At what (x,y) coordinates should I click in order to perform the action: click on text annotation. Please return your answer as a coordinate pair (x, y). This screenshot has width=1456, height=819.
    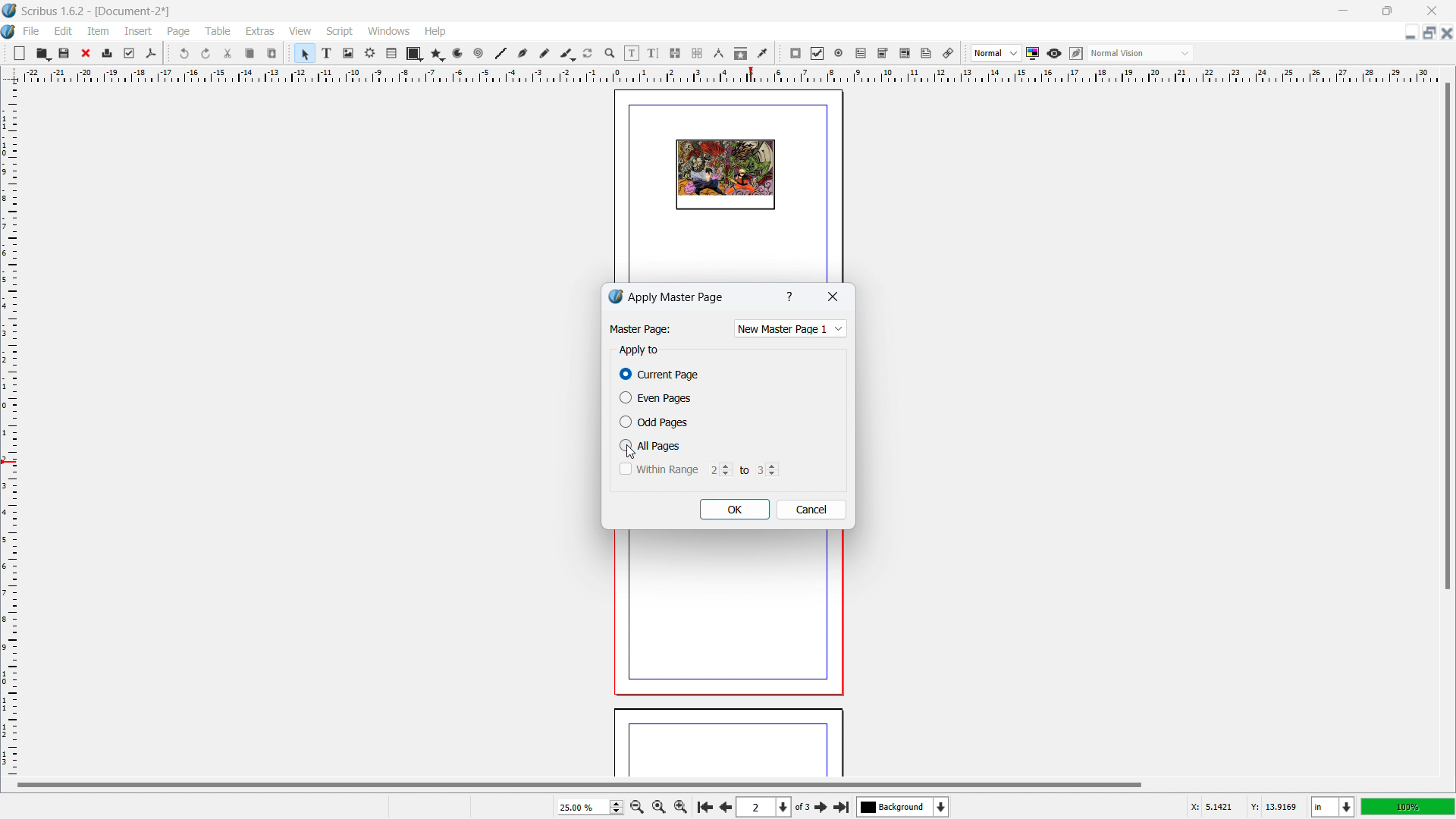
    Looking at the image, I should click on (927, 54).